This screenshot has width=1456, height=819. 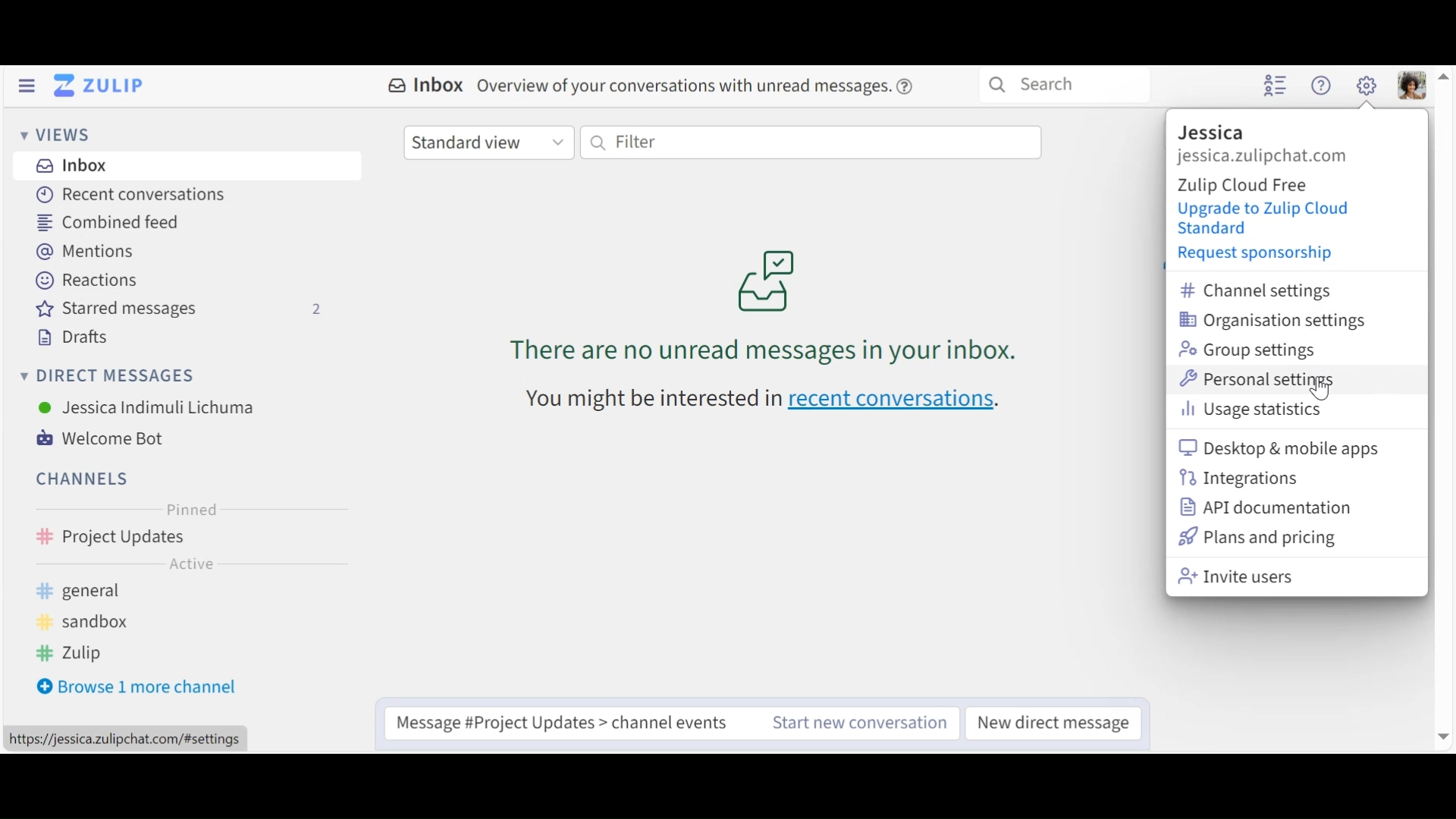 I want to click on Browse more channels, so click(x=137, y=687).